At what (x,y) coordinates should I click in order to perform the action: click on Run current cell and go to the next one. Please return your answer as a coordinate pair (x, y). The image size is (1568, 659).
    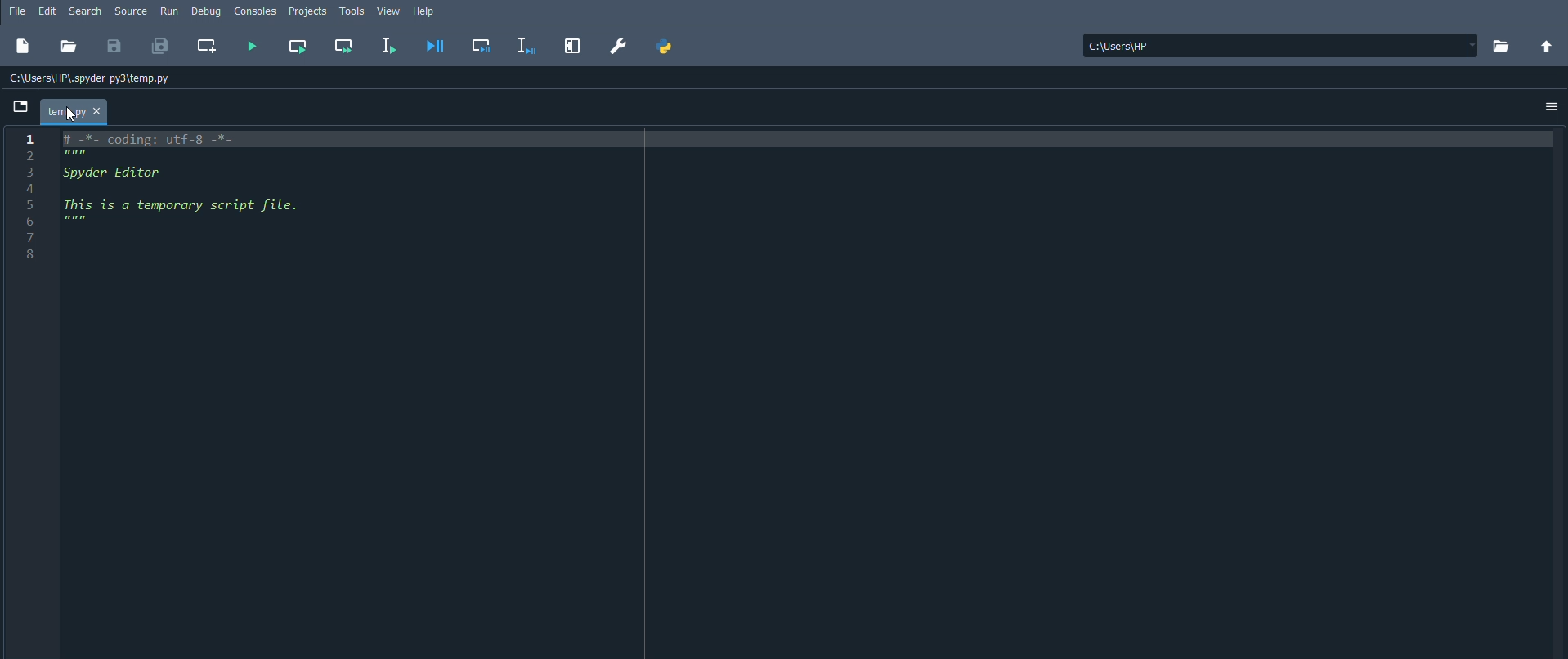
    Looking at the image, I should click on (343, 46).